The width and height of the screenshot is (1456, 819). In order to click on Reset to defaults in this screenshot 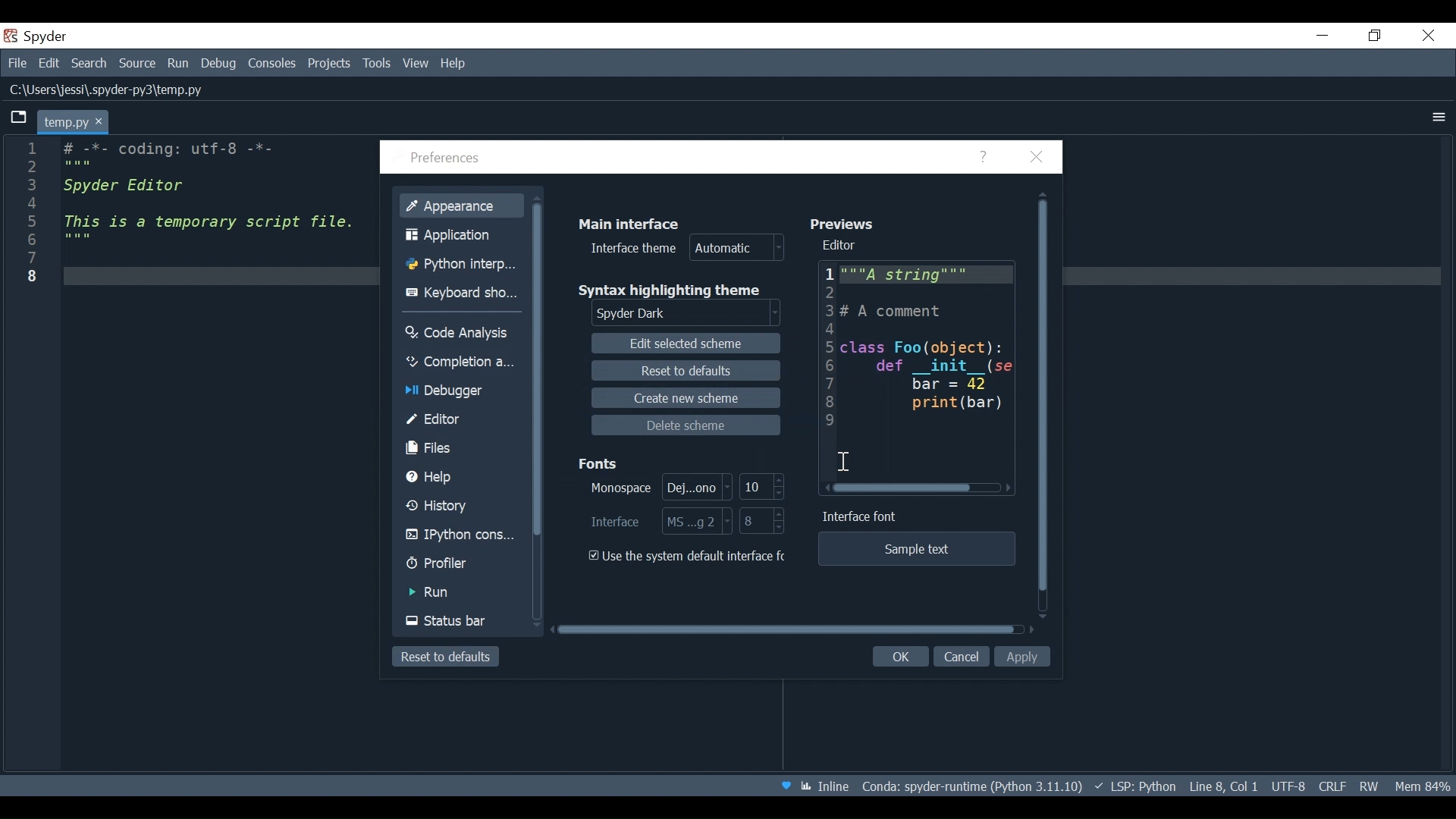, I will do `click(444, 657)`.